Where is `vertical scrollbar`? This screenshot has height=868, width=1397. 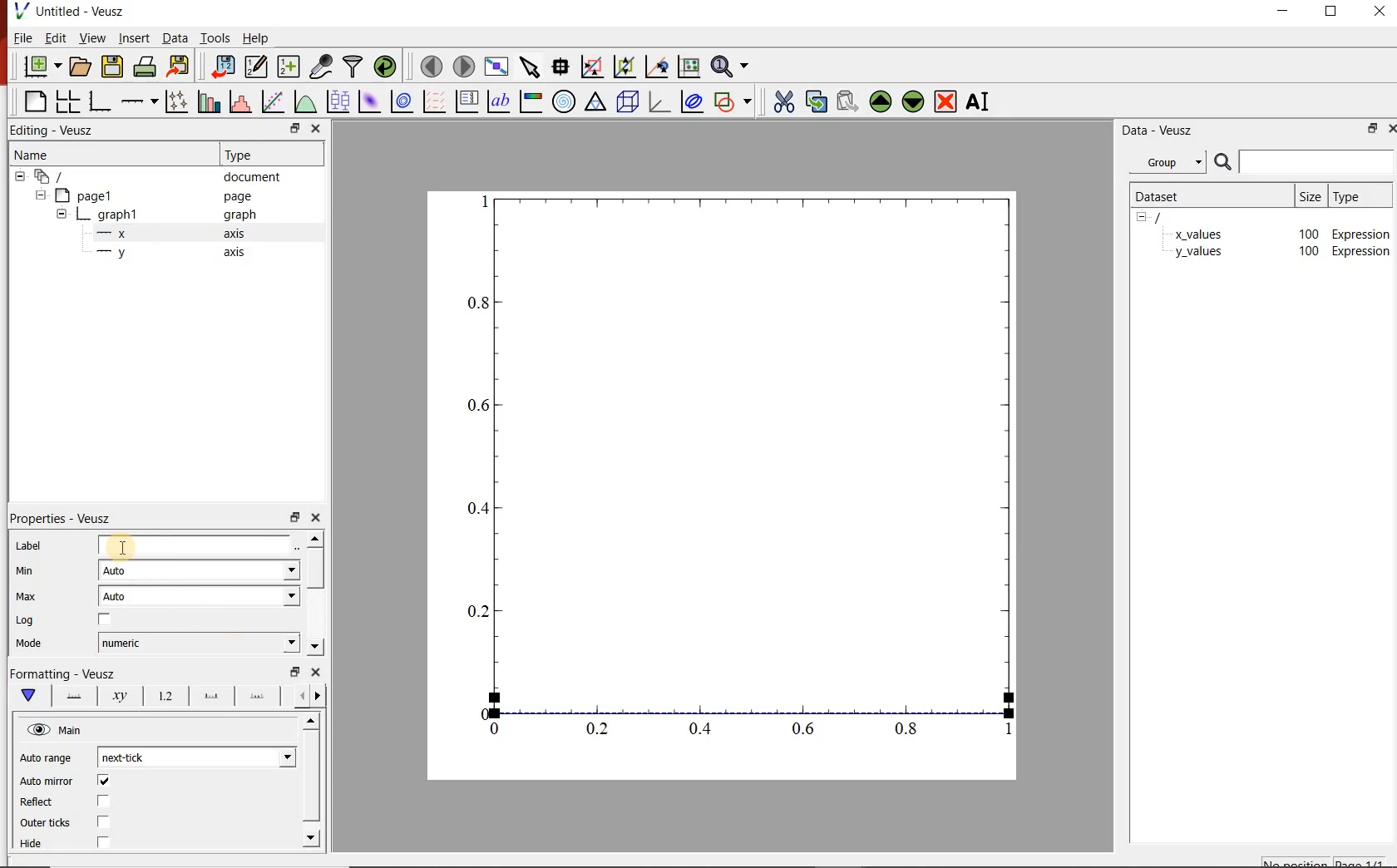 vertical scrollbar is located at coordinates (309, 777).